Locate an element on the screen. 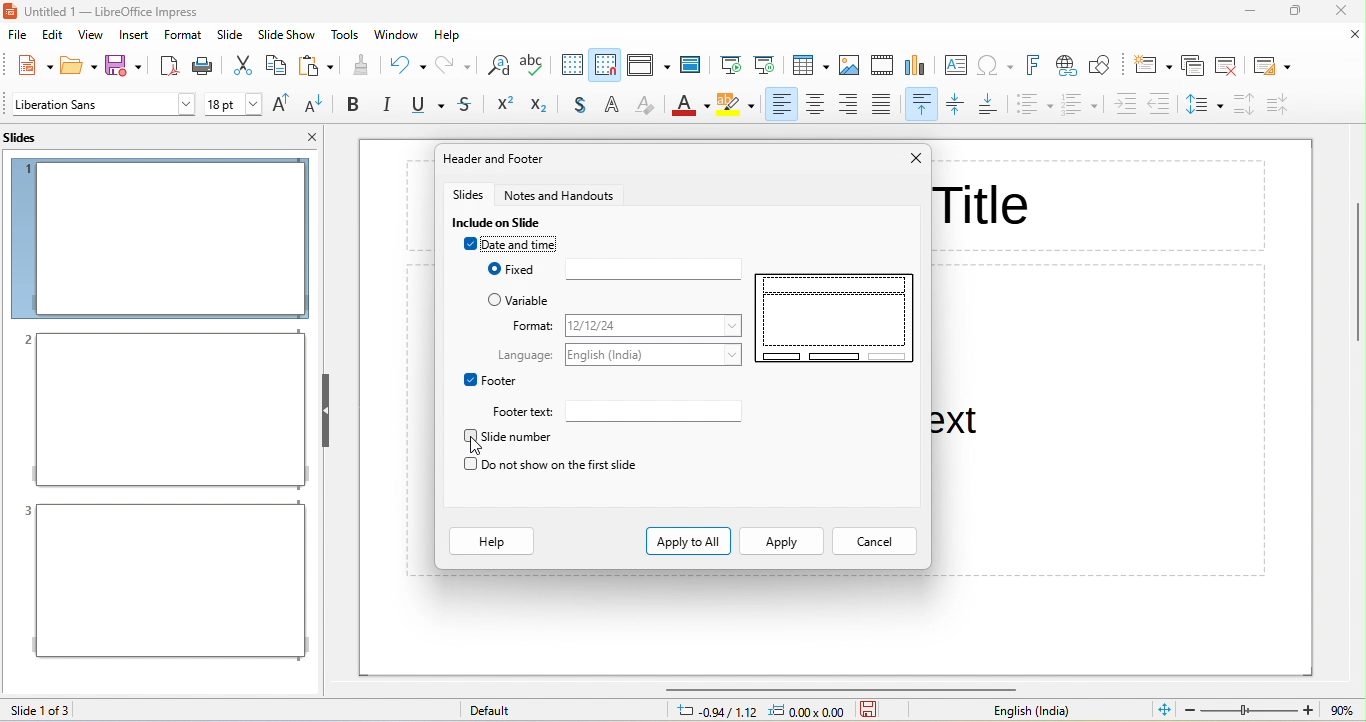 This screenshot has height=722, width=1366. justified is located at coordinates (888, 105).